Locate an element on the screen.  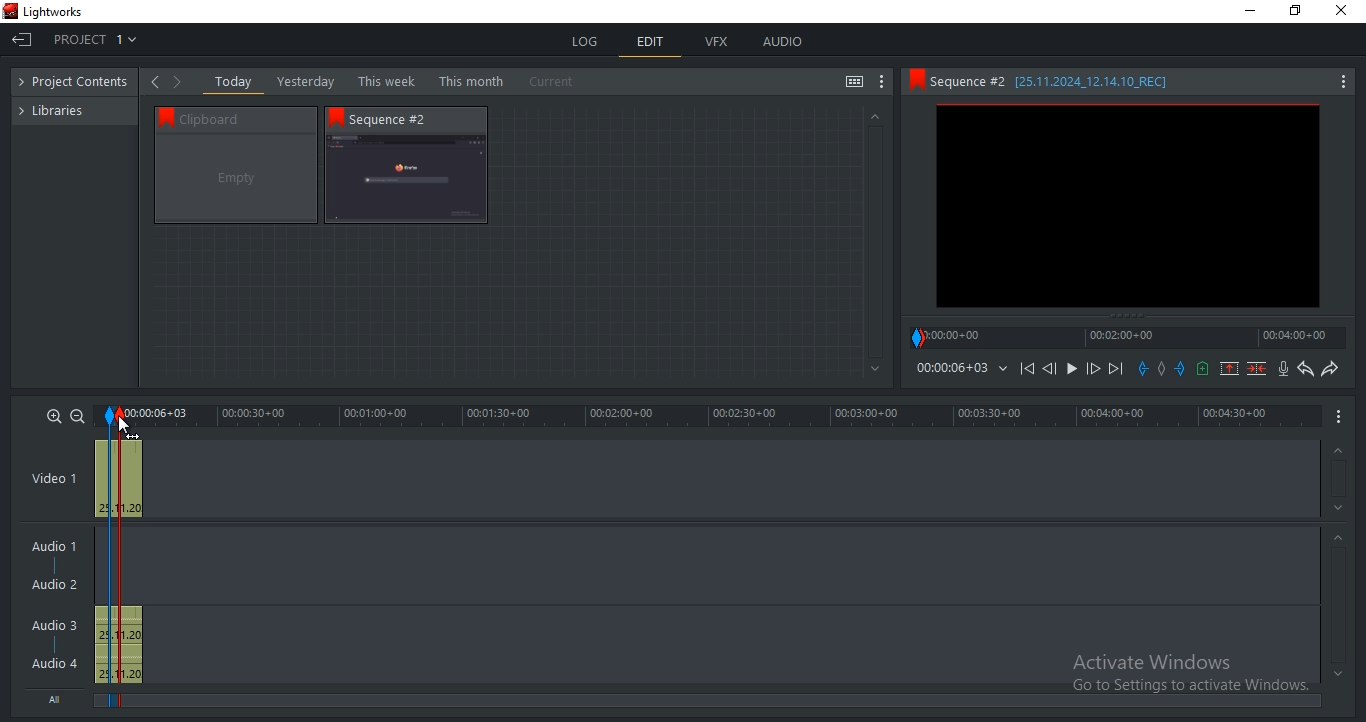
Lightworks is located at coordinates (54, 12).